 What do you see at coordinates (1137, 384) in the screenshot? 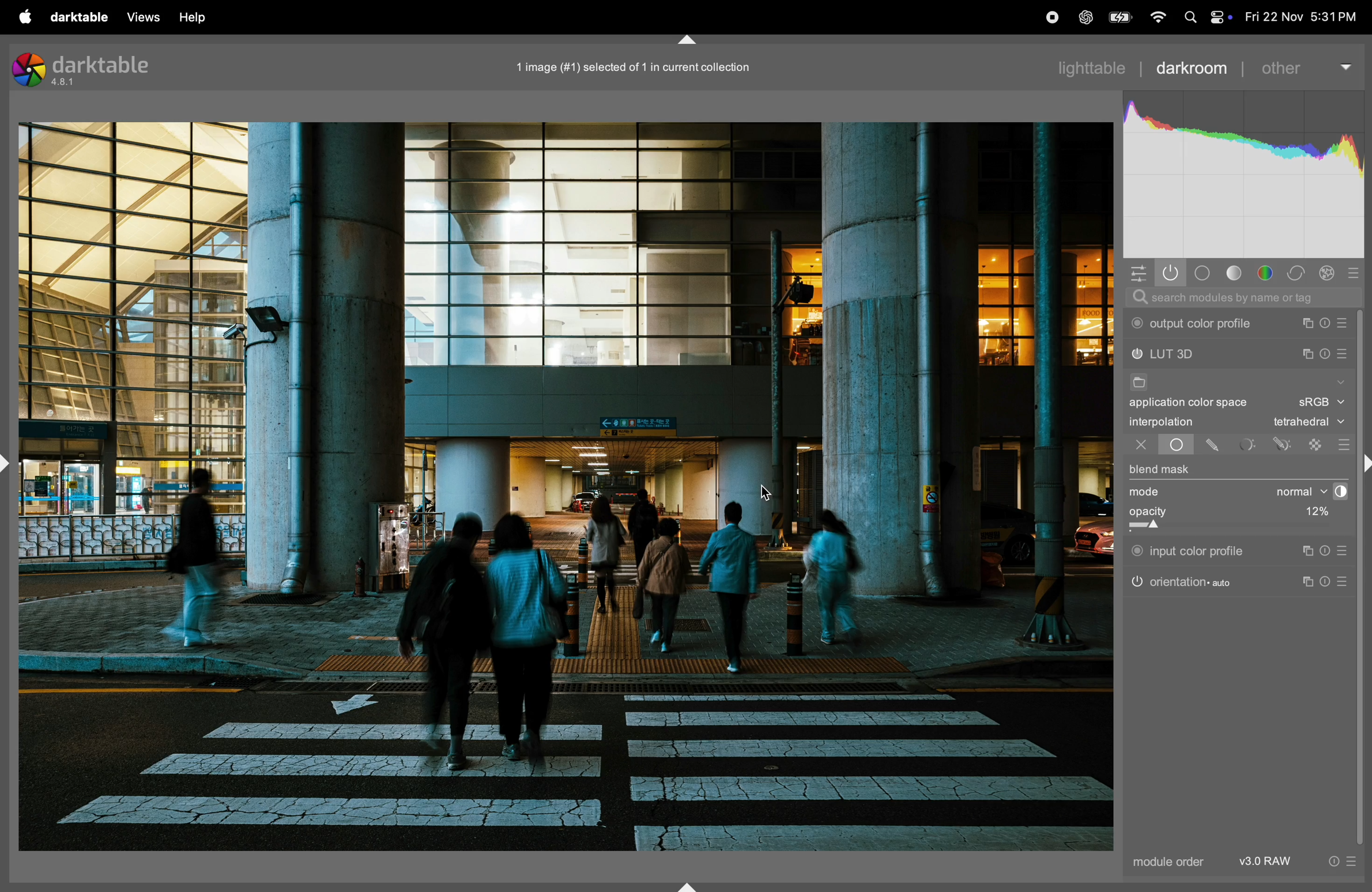
I see `file` at bounding box center [1137, 384].